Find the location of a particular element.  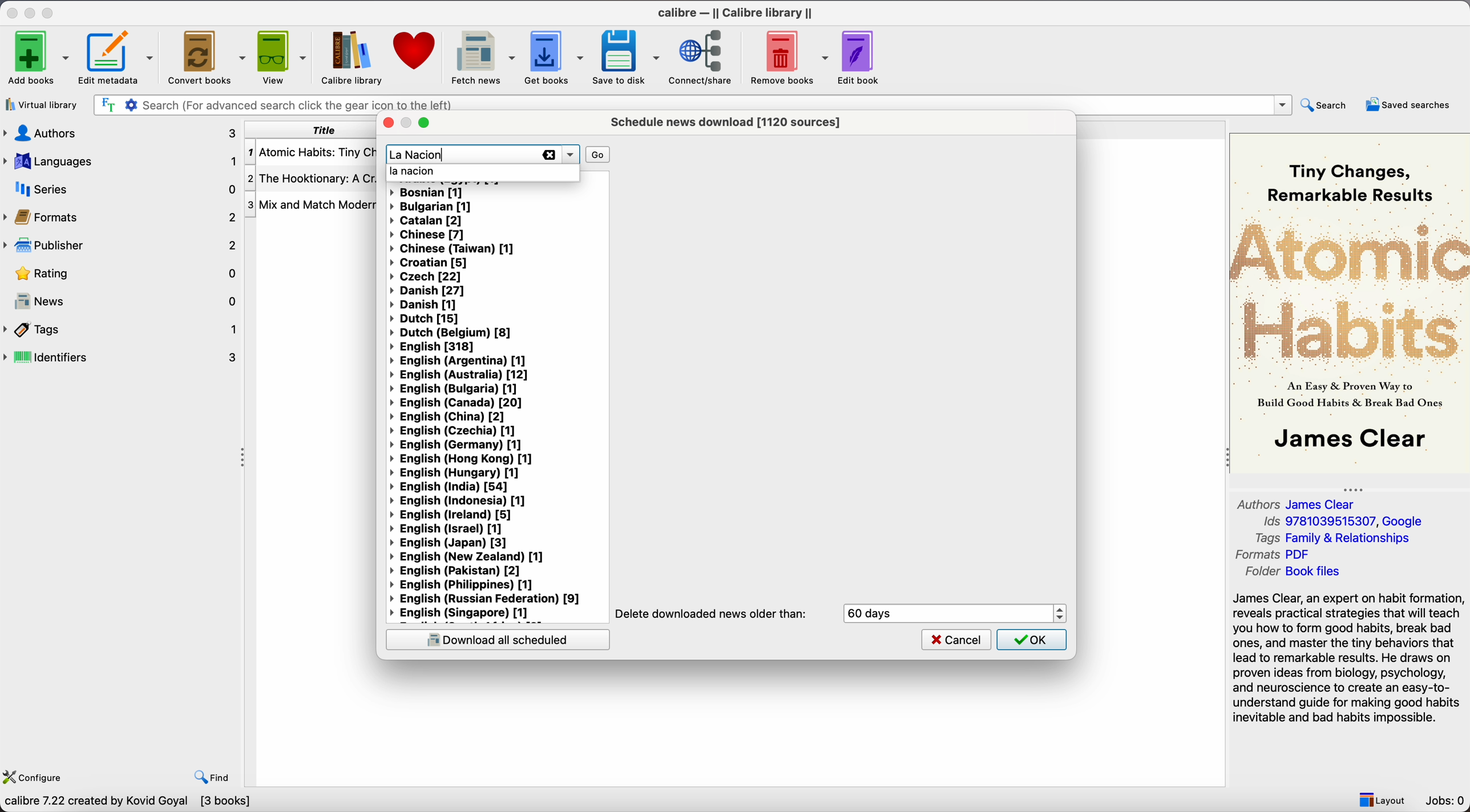

view is located at coordinates (281, 57).